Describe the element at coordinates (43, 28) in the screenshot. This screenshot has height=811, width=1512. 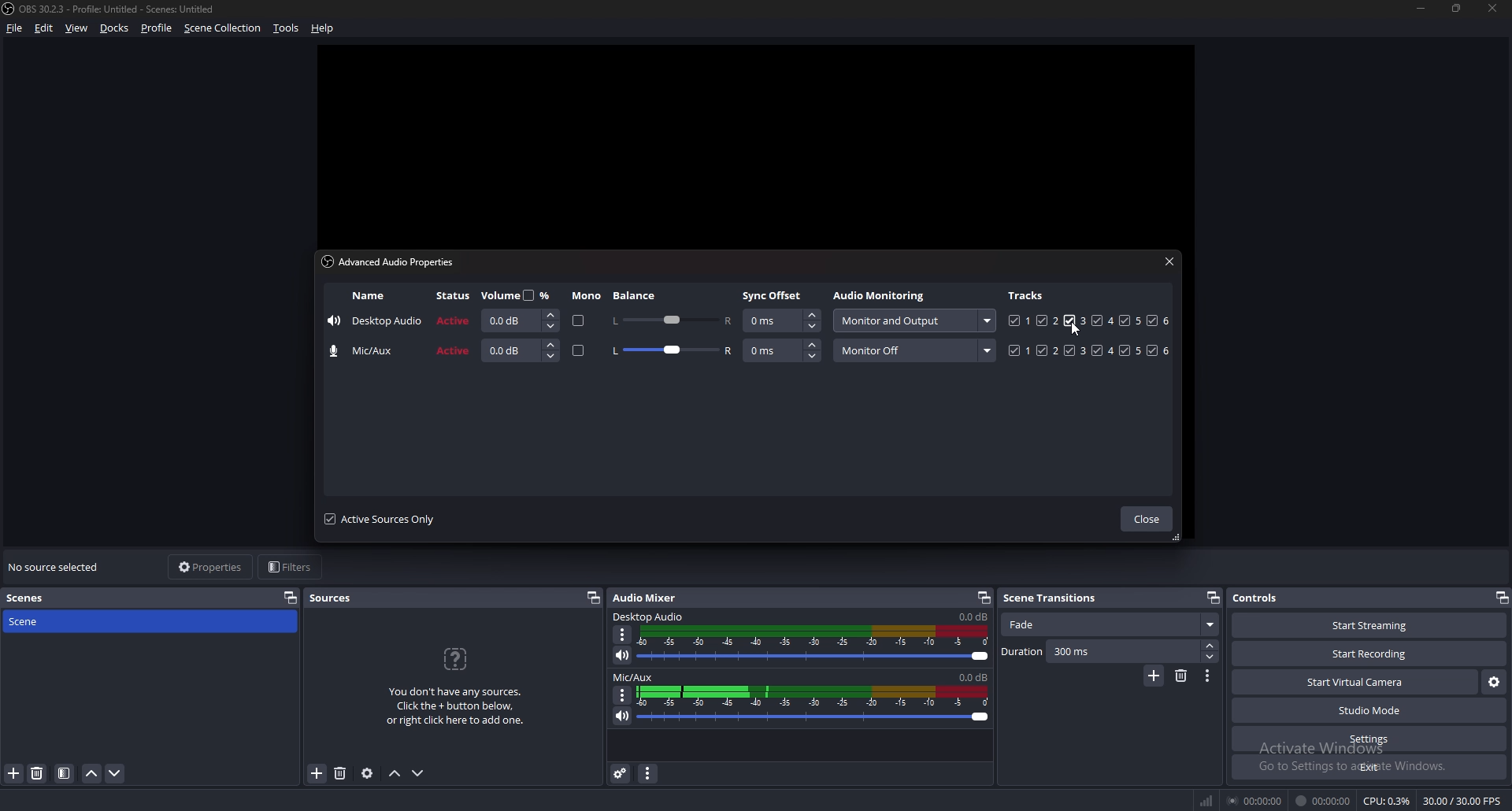
I see `edit` at that location.